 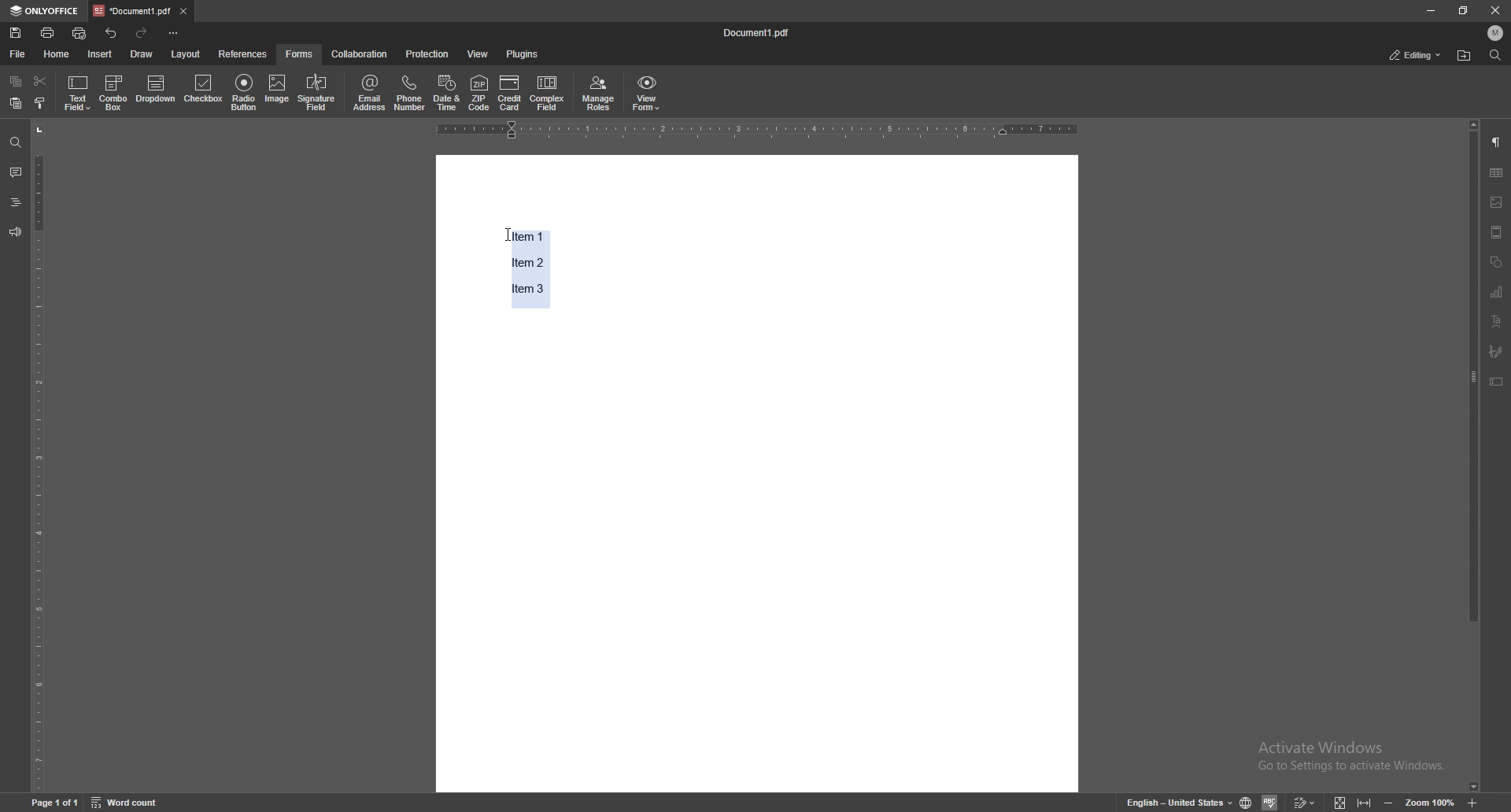 What do you see at coordinates (478, 54) in the screenshot?
I see `view` at bounding box center [478, 54].